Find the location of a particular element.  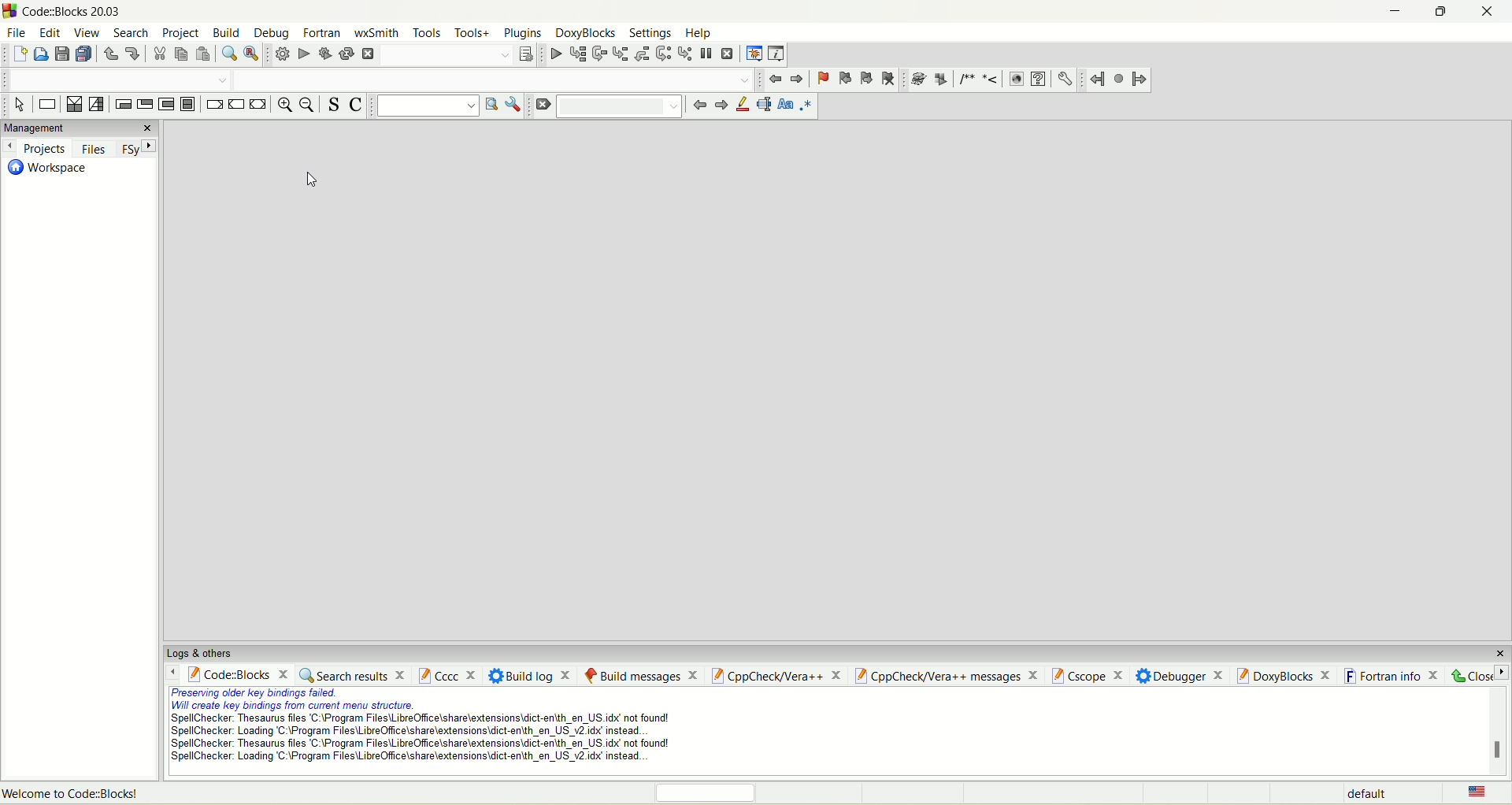

default is located at coordinates (1364, 793).